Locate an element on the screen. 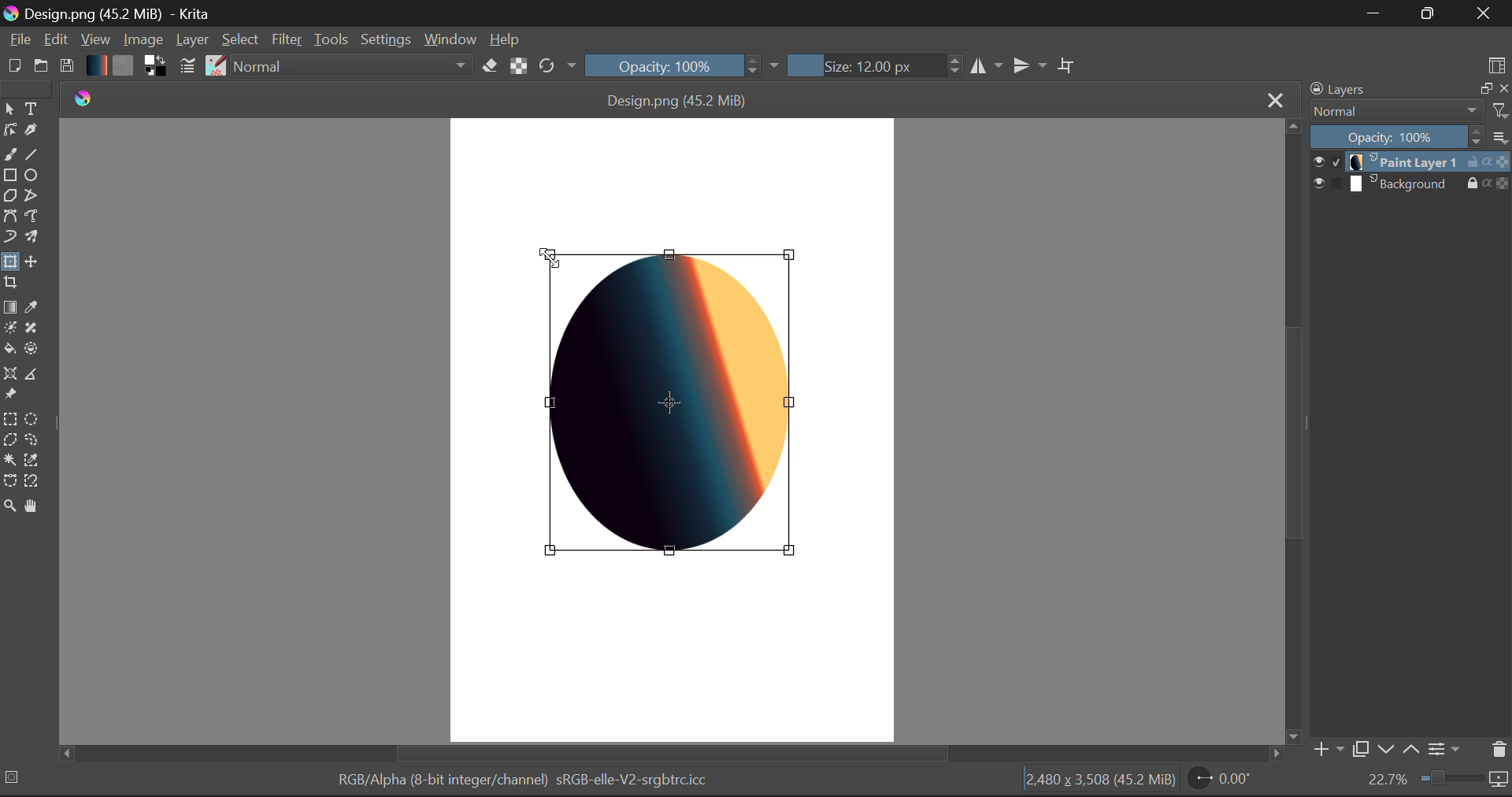 Image resolution: width=1512 pixels, height=797 pixels. Close is located at coordinates (1487, 13).